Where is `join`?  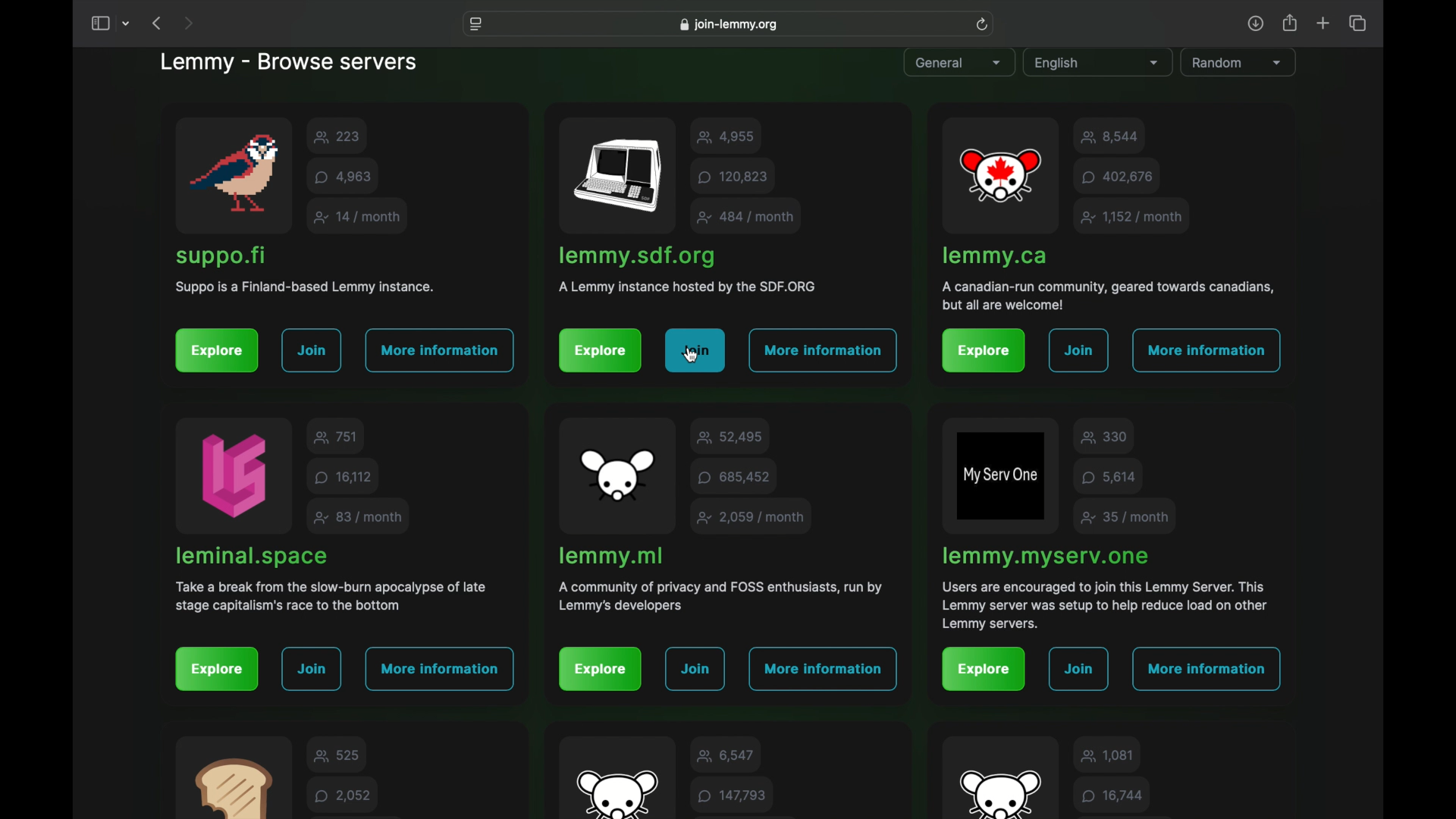 join is located at coordinates (1078, 350).